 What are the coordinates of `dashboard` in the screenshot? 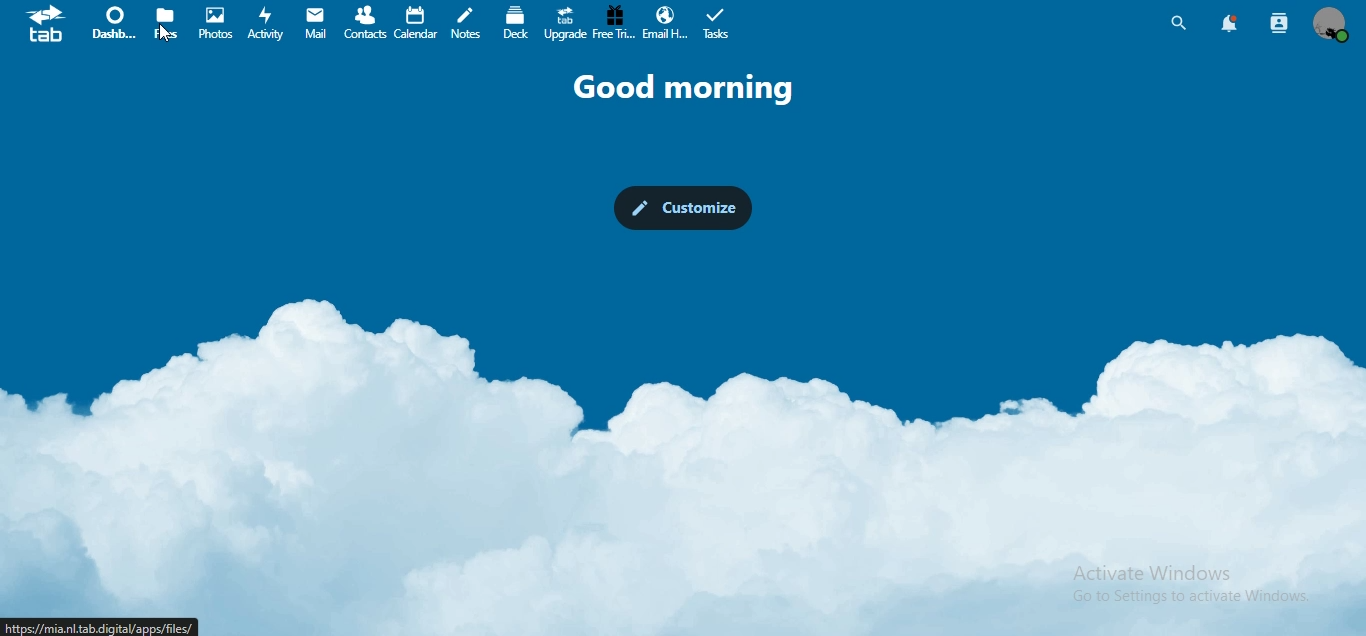 It's located at (114, 27).